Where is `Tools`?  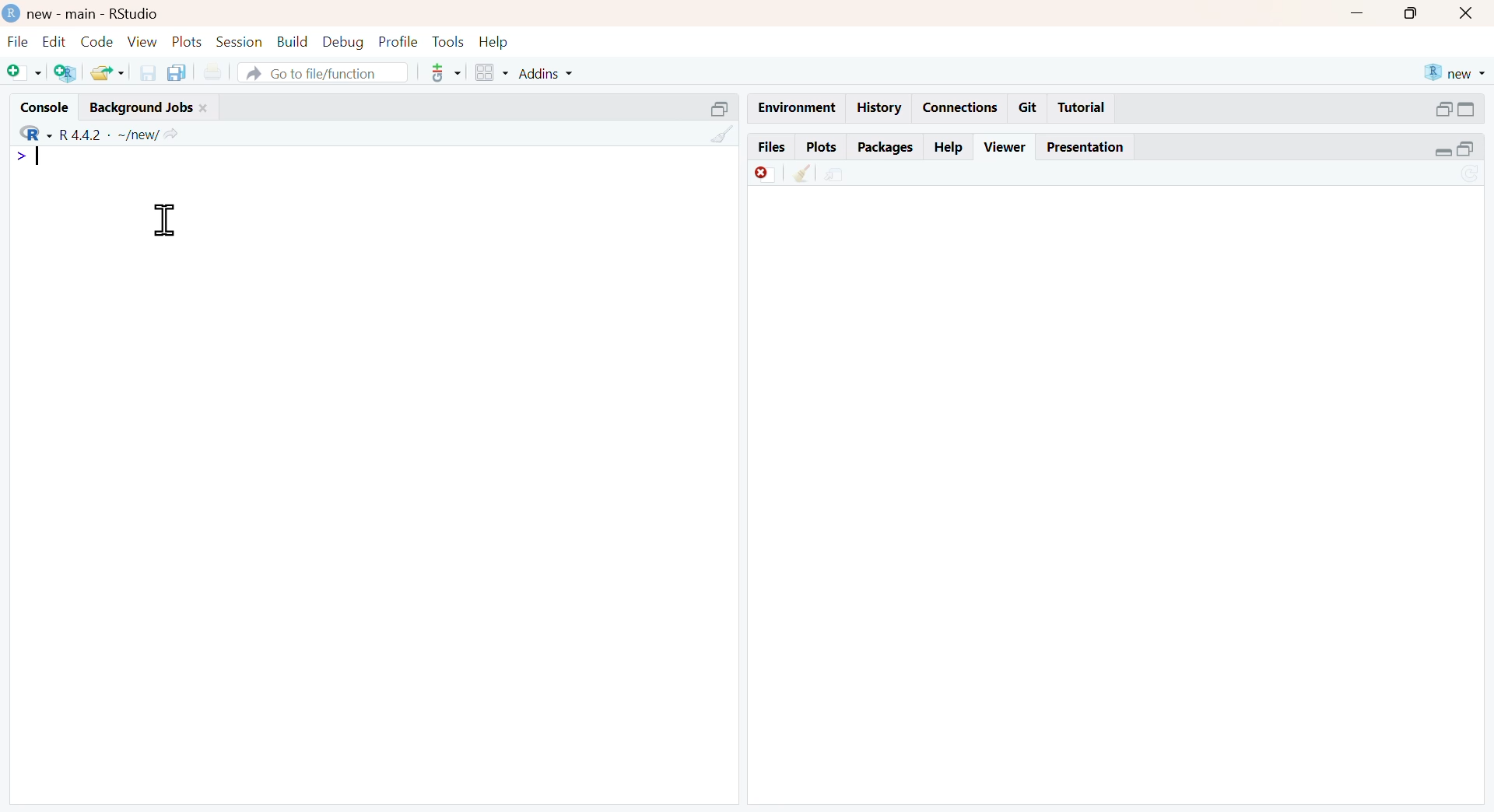 Tools is located at coordinates (445, 40).